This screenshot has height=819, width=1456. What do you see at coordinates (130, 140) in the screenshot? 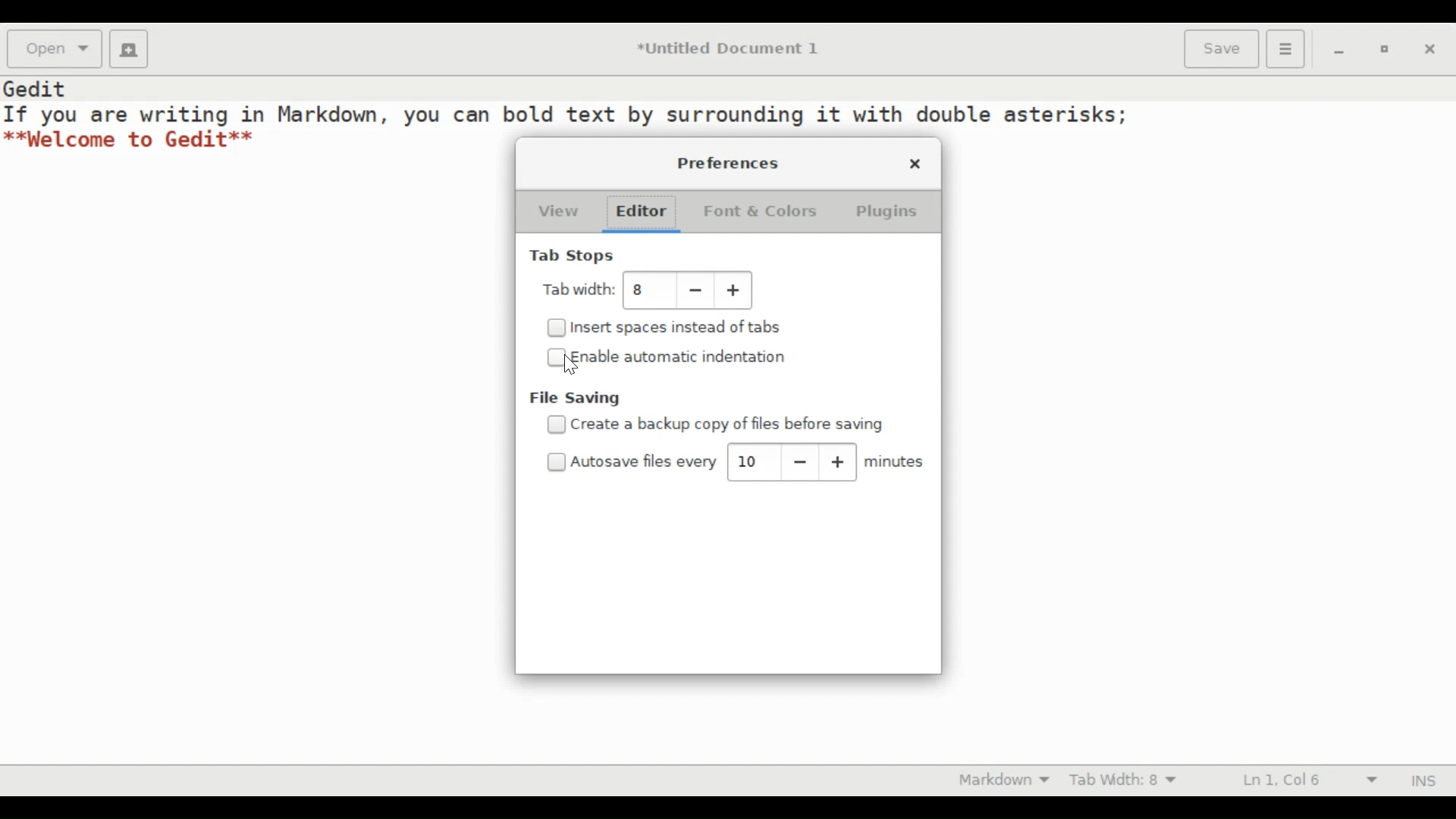
I see `**Welcome to Gedit**` at bounding box center [130, 140].